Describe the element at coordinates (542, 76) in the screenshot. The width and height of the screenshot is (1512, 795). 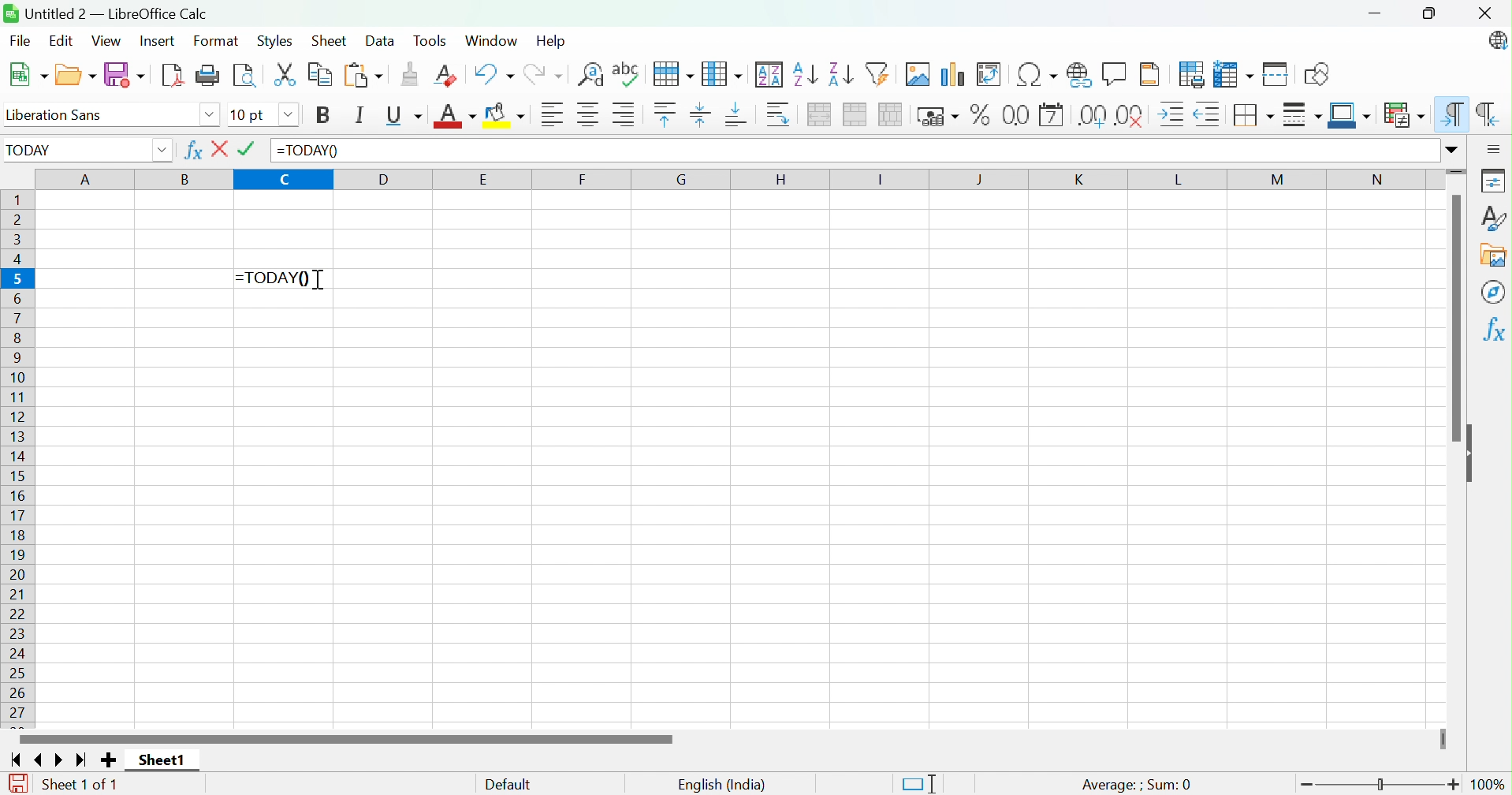
I see `Redo` at that location.